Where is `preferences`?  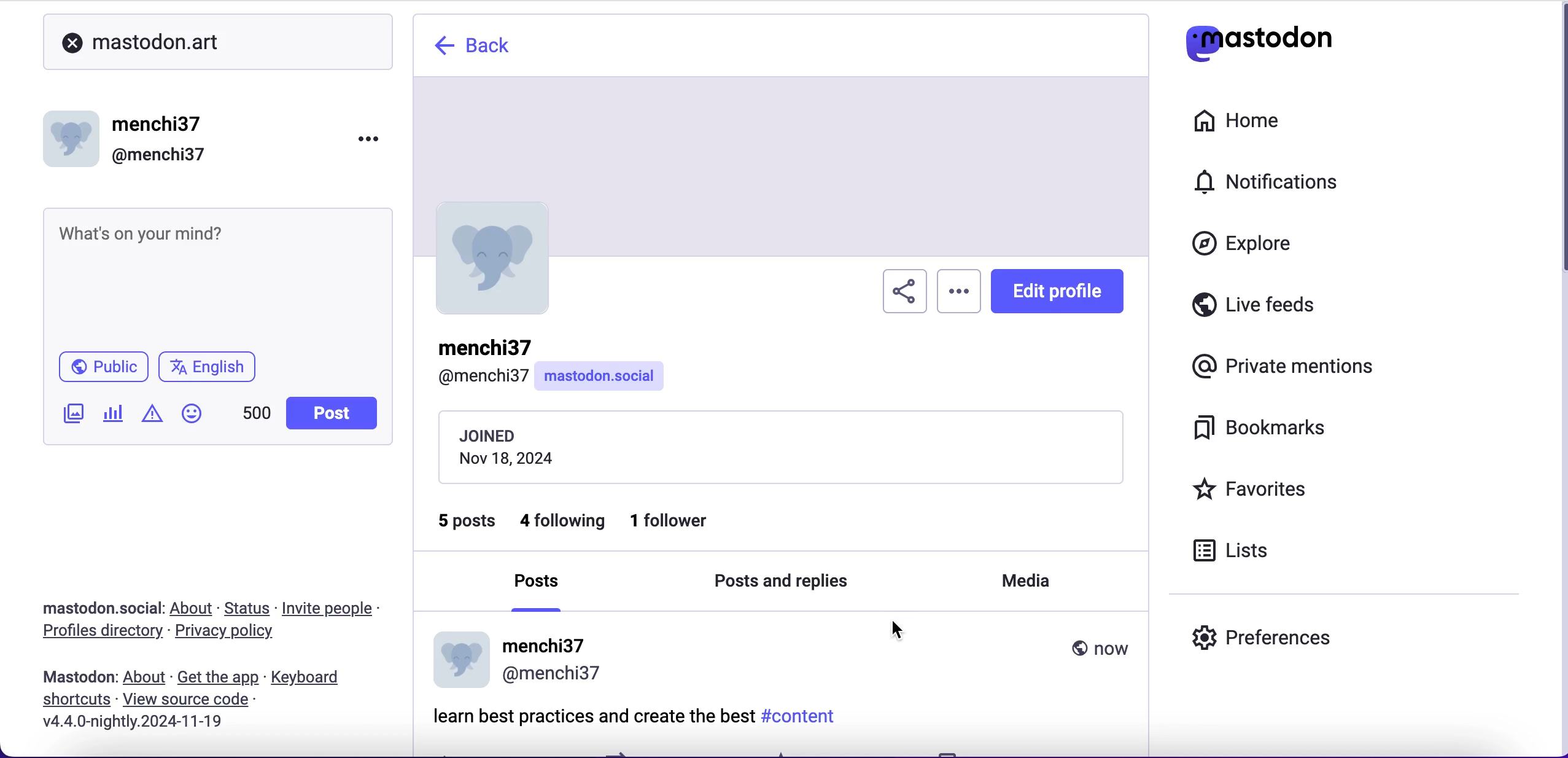 preferences is located at coordinates (1316, 633).